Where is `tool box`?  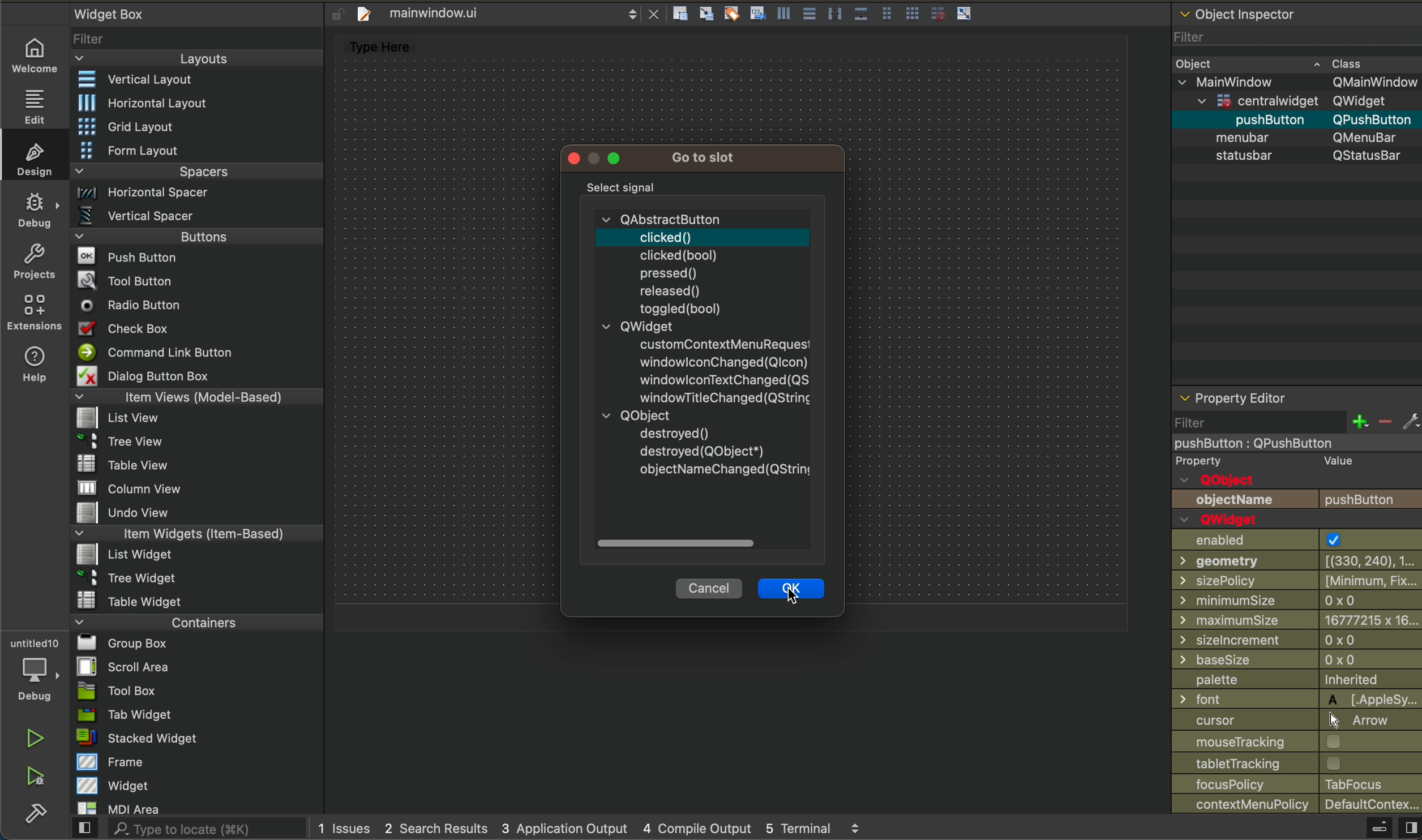 tool box is located at coordinates (194, 692).